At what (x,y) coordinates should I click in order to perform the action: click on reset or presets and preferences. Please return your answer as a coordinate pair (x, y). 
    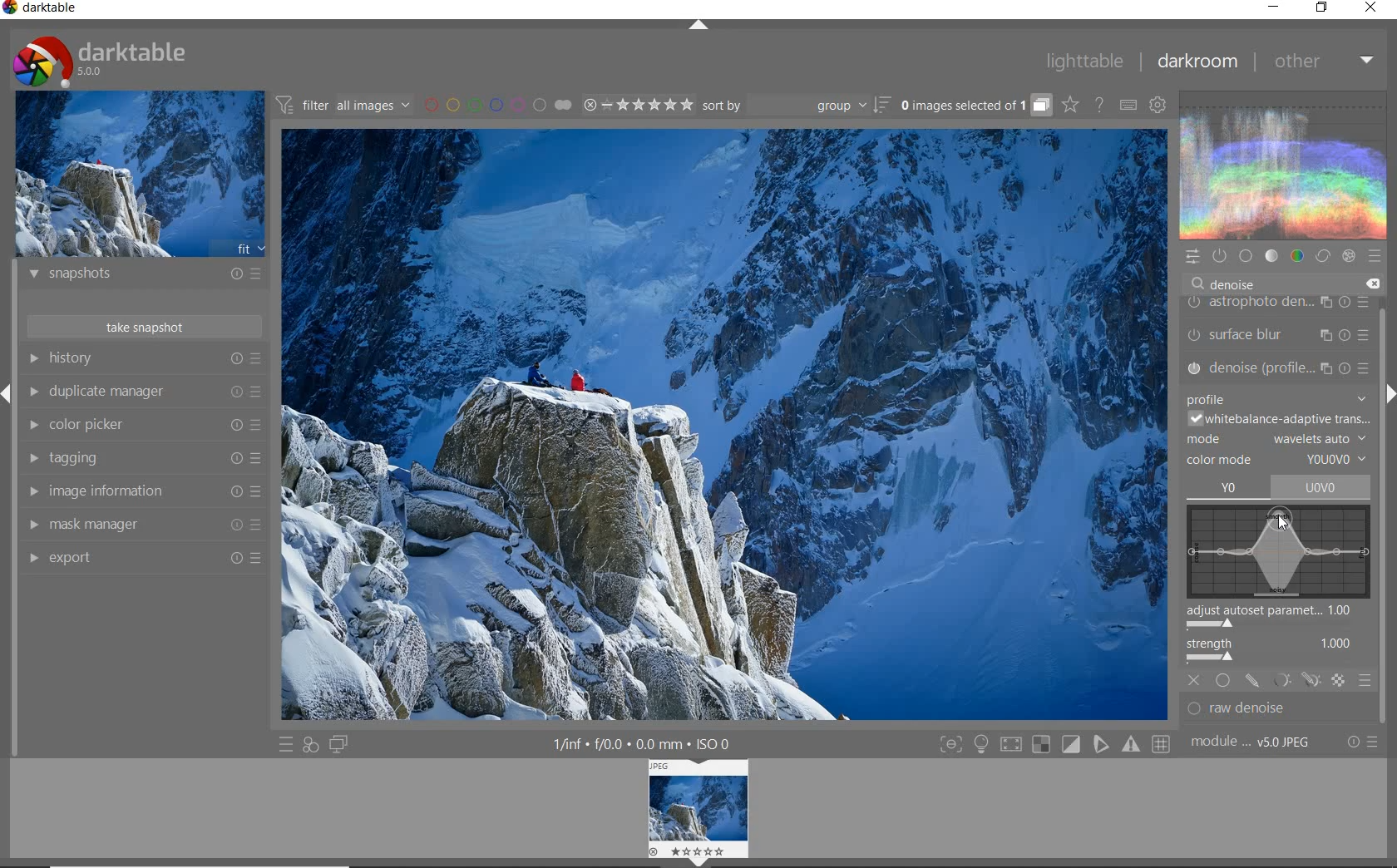
    Looking at the image, I should click on (1365, 742).